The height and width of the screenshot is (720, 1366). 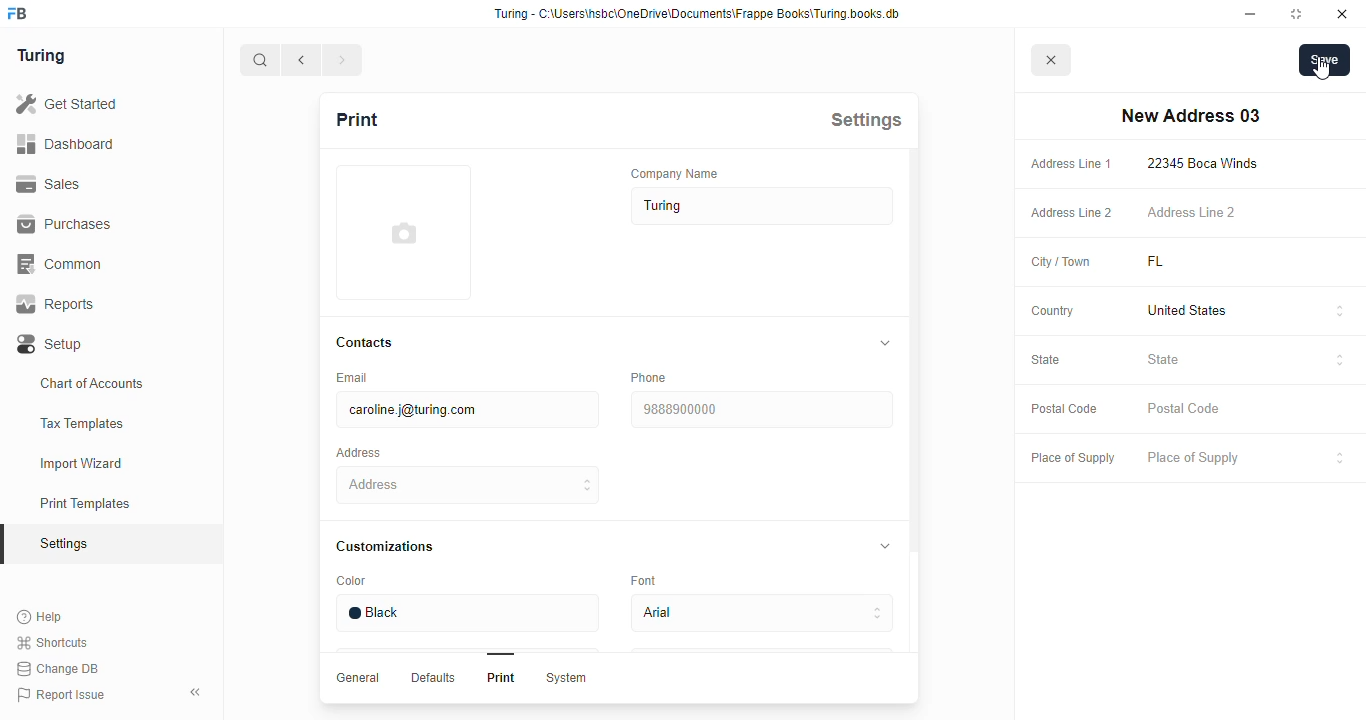 What do you see at coordinates (760, 410) in the screenshot?
I see `9888900000` at bounding box center [760, 410].